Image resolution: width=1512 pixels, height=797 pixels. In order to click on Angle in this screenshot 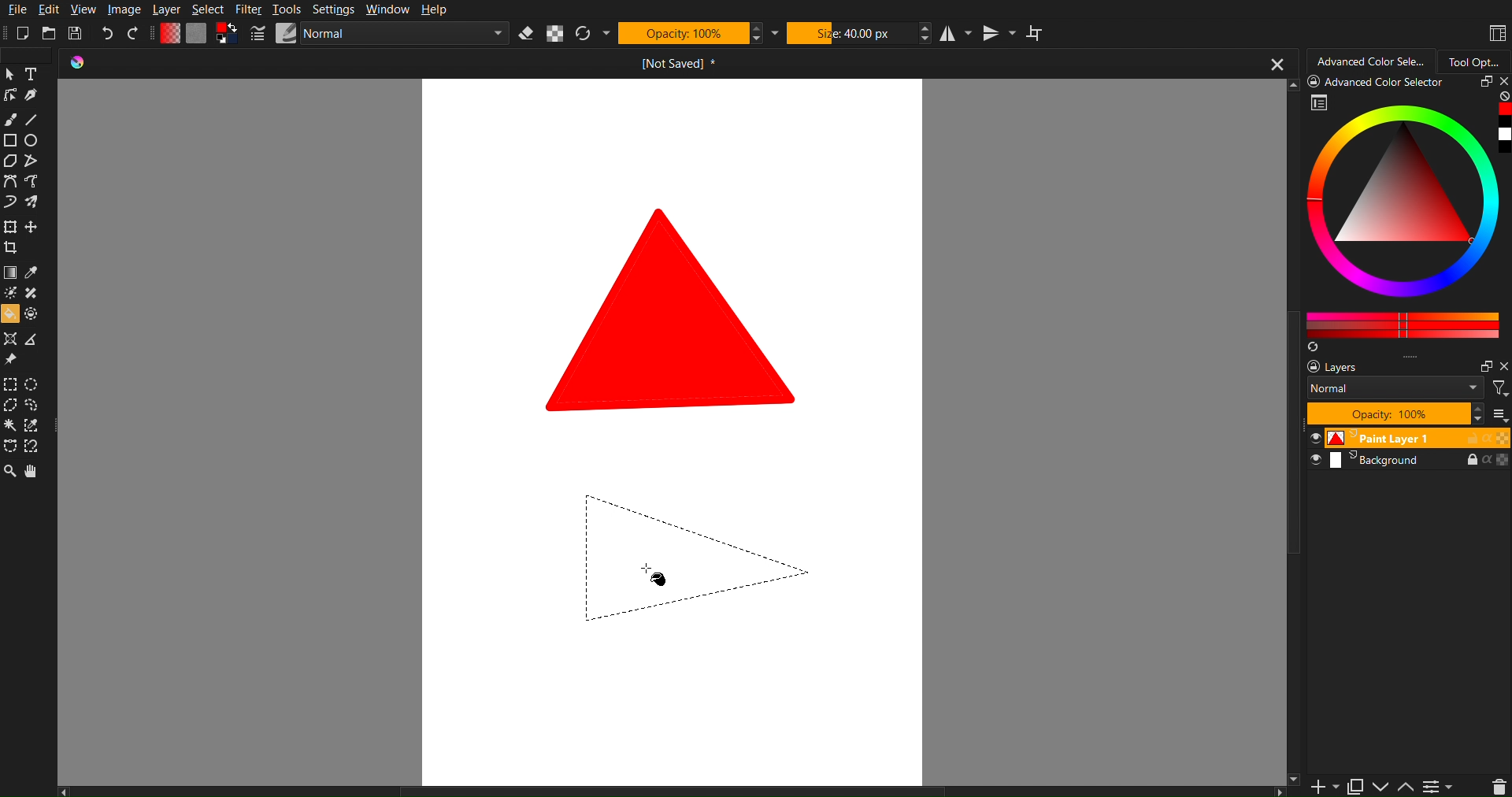, I will do `click(31, 342)`.